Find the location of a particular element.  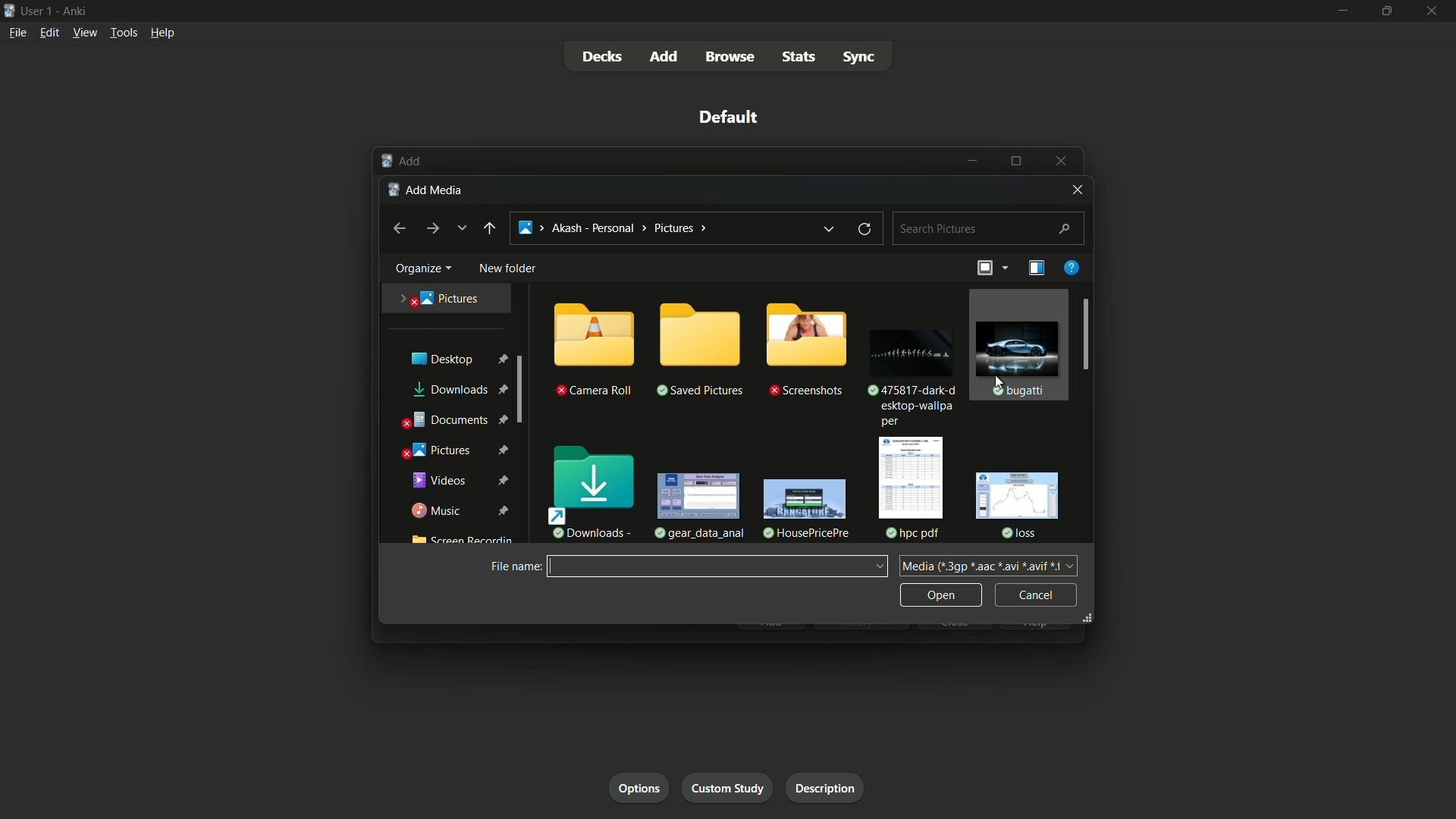

tools menu is located at coordinates (121, 33).